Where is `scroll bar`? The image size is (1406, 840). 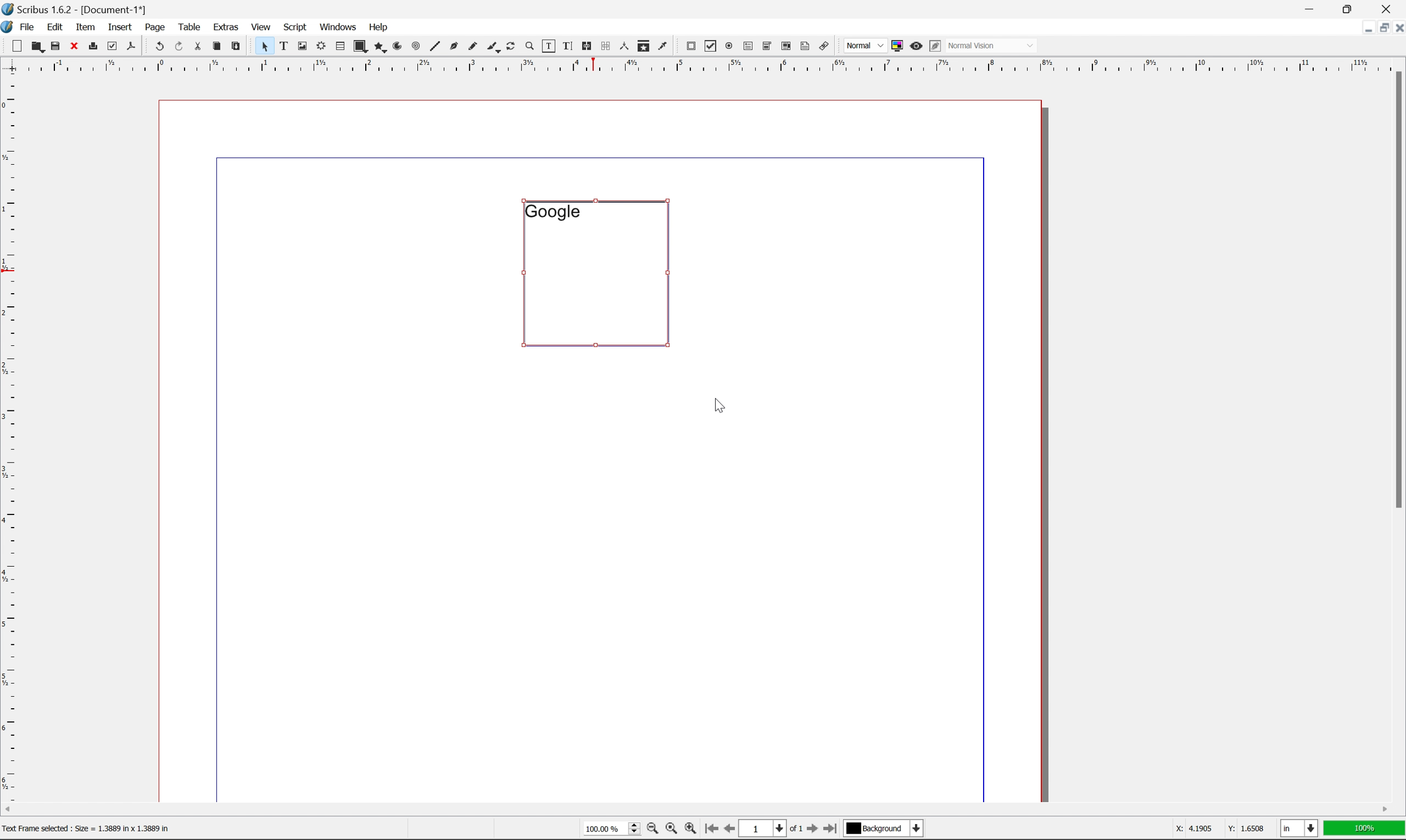 scroll bar is located at coordinates (1396, 289).